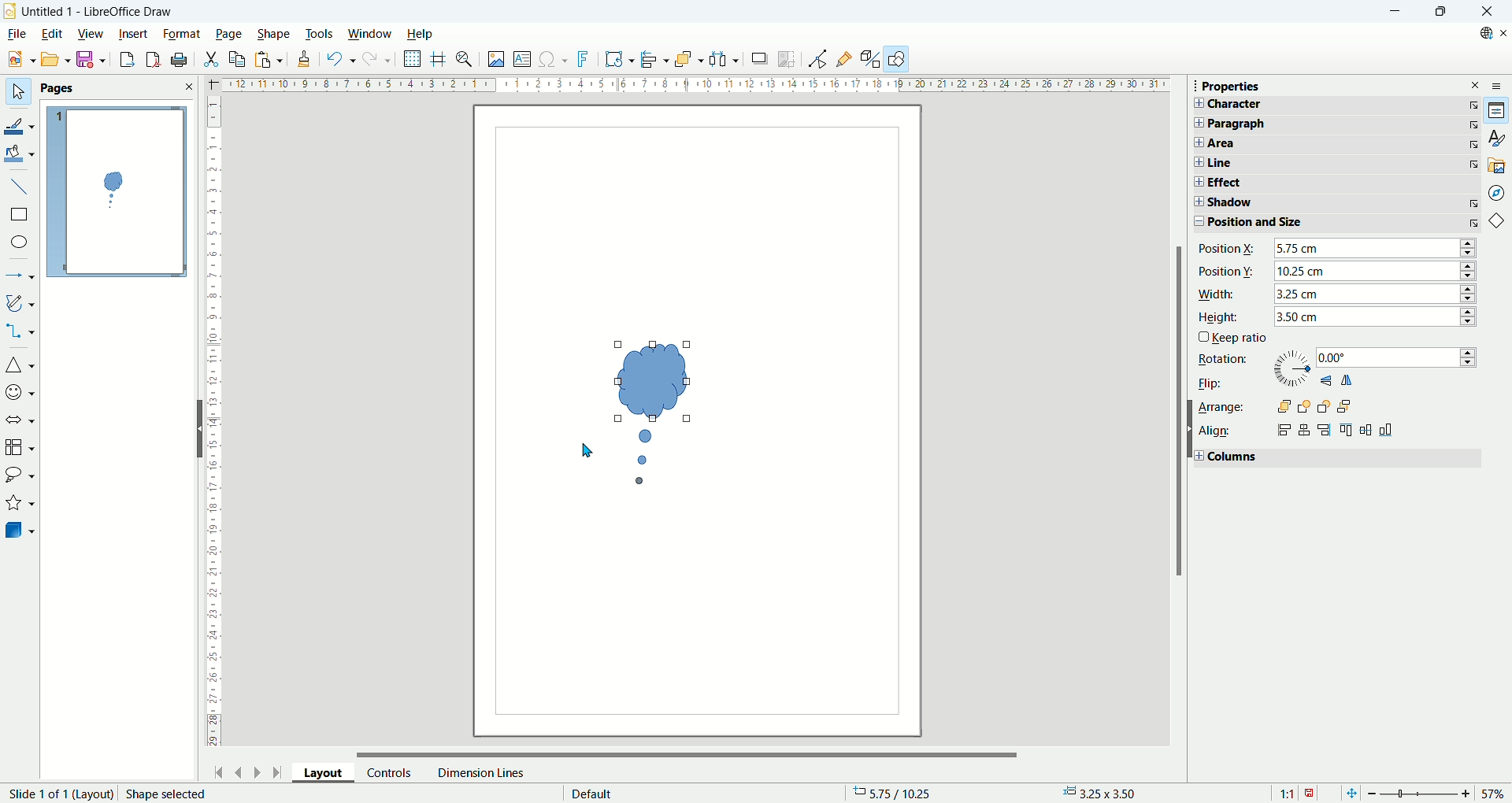 The width and height of the screenshot is (1512, 803). What do you see at coordinates (20, 418) in the screenshot?
I see `solid arrow` at bounding box center [20, 418].